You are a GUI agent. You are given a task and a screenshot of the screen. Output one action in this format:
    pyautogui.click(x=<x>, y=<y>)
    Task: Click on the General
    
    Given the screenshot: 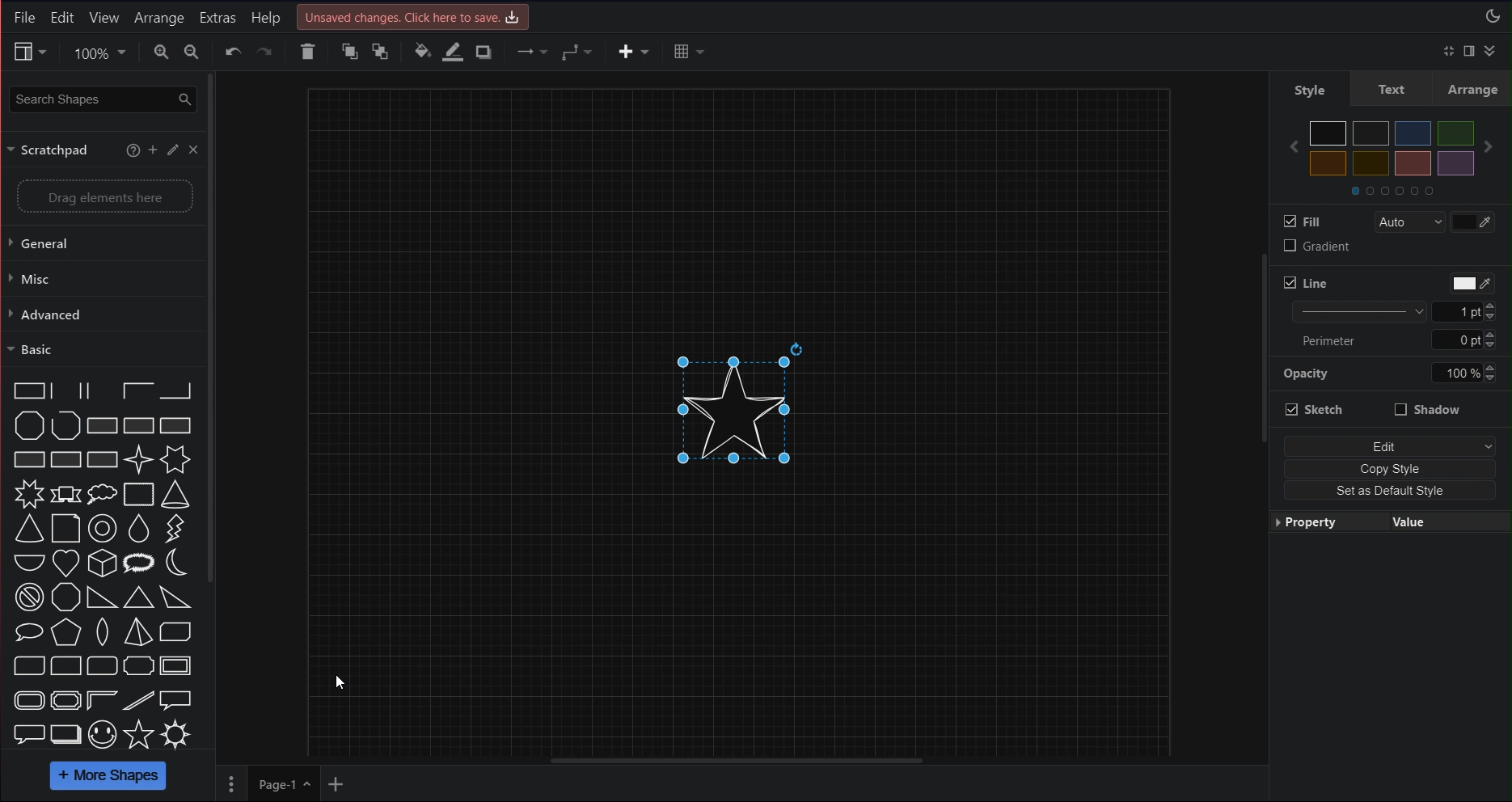 What is the action you would take?
    pyautogui.click(x=100, y=243)
    